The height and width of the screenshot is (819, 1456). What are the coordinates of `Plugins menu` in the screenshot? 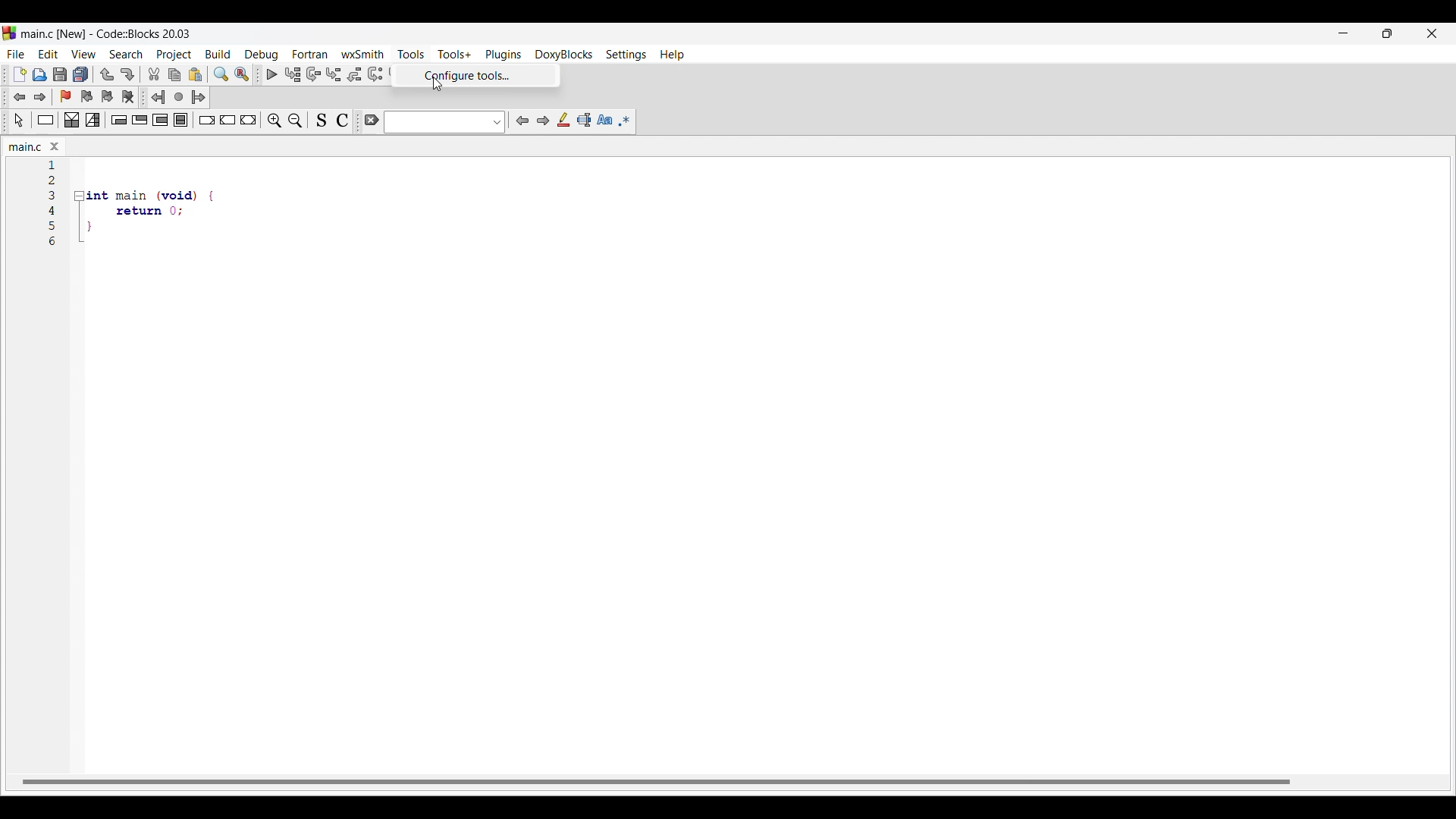 It's located at (504, 55).